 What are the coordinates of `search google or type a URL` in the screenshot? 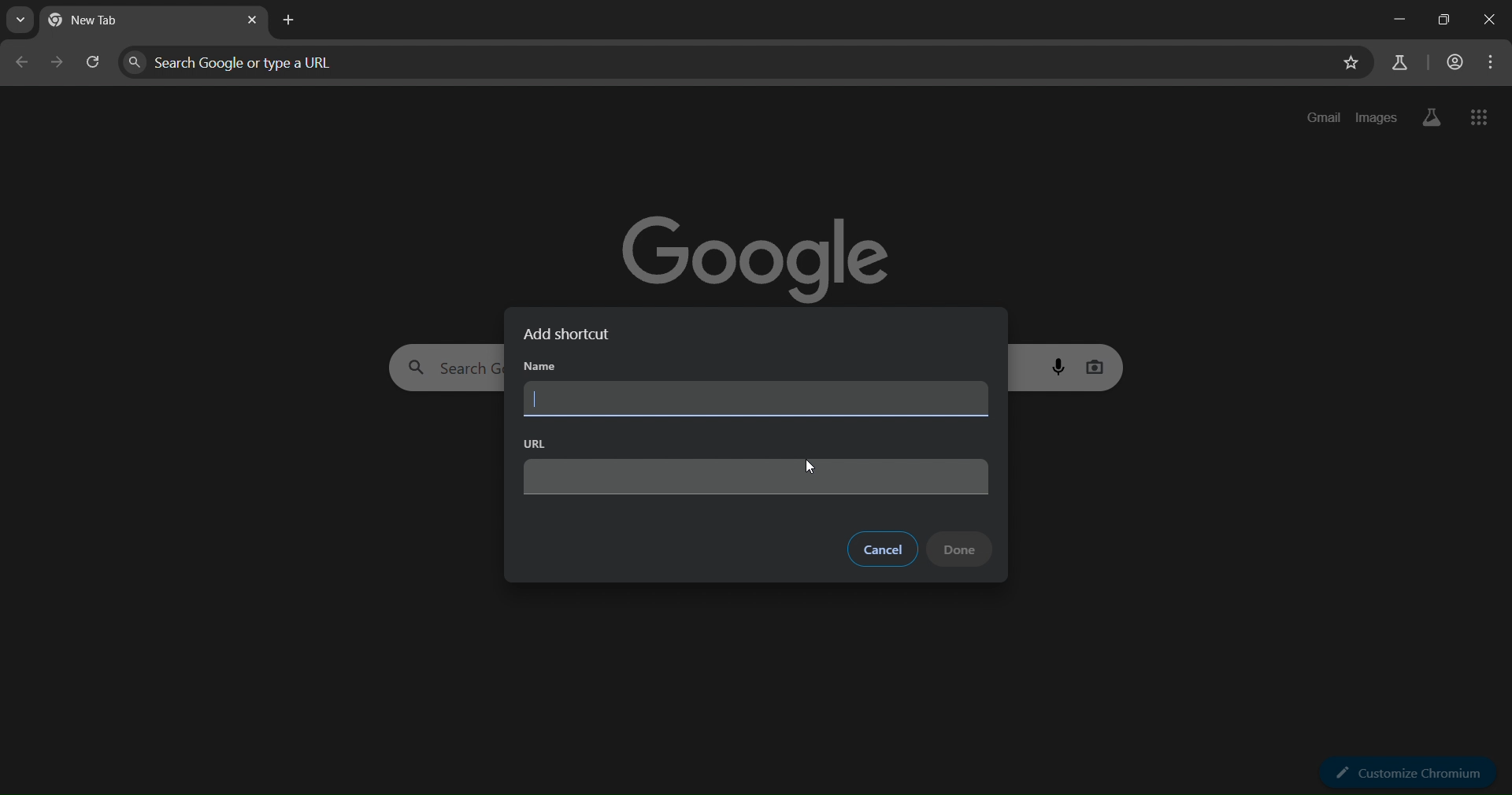 It's located at (721, 62).